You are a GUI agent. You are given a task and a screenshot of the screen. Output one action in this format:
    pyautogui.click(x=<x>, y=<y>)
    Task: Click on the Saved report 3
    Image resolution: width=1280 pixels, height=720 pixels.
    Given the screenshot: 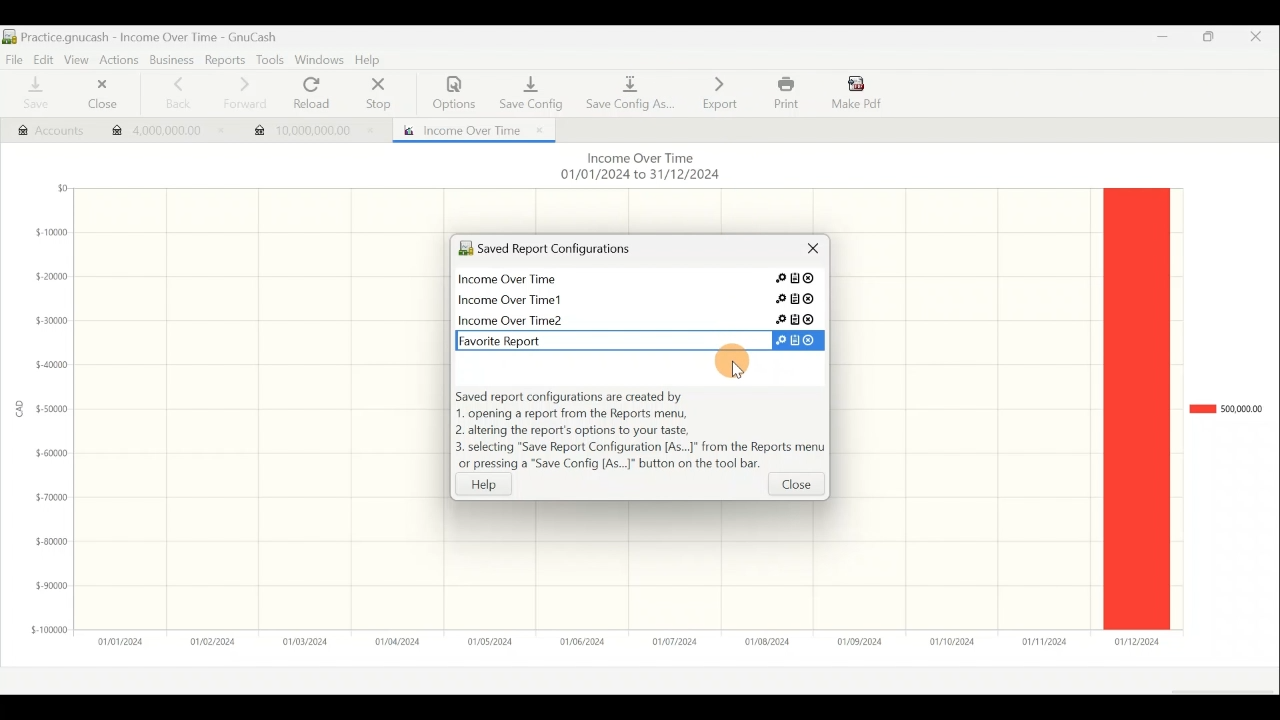 What is the action you would take?
    pyautogui.click(x=637, y=319)
    